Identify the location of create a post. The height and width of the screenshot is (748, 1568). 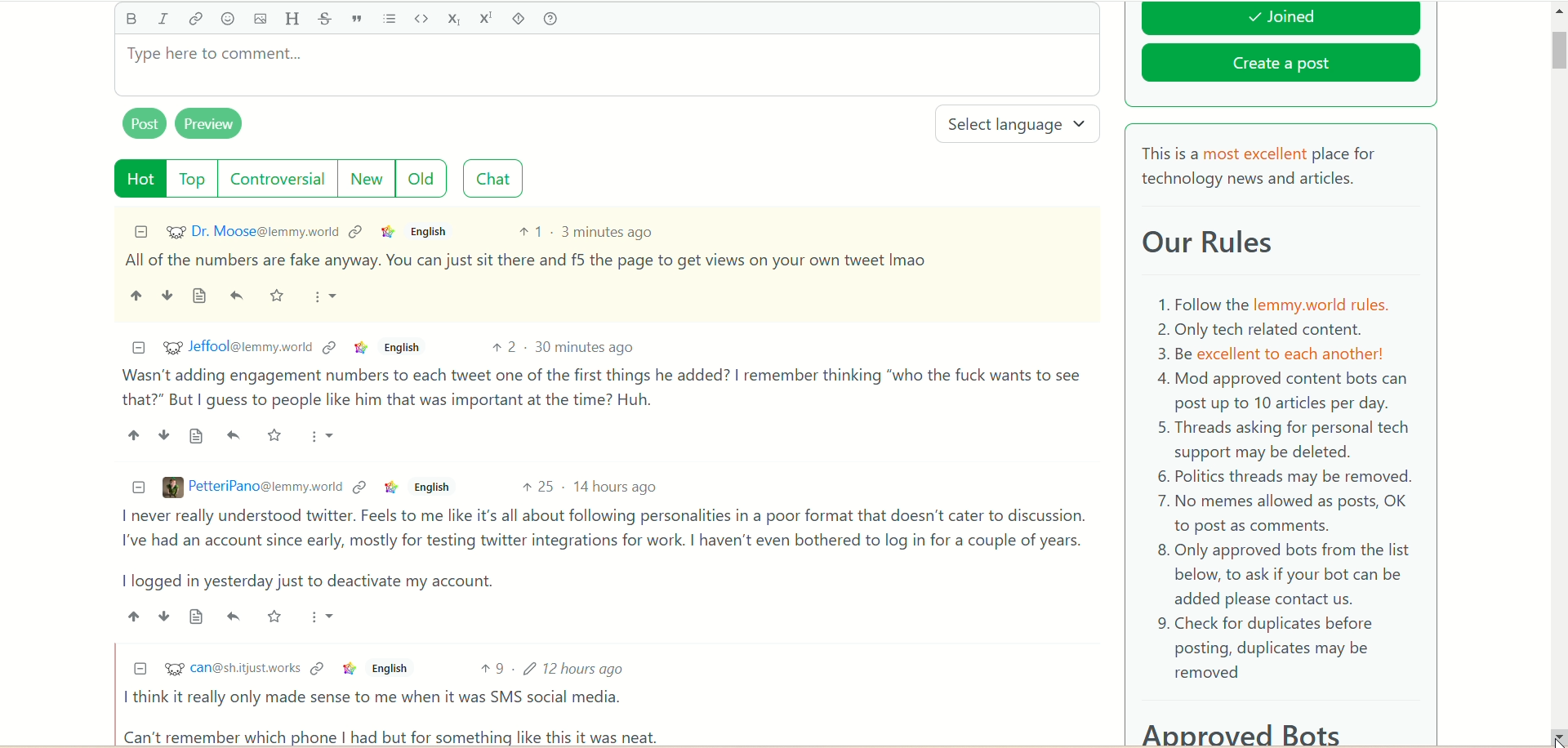
(1281, 66).